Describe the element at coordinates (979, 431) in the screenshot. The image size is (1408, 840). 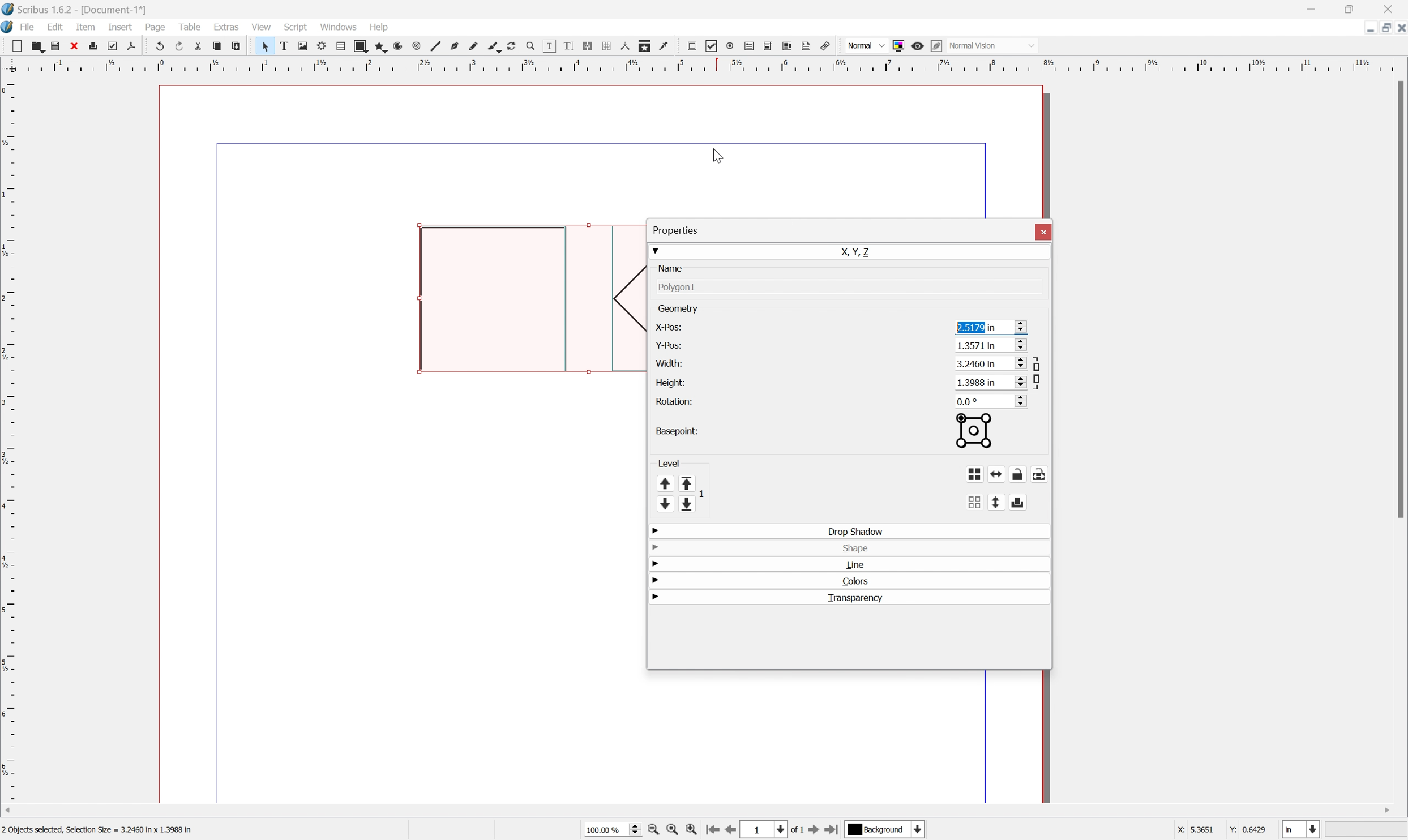
I see `basepoint` at that location.